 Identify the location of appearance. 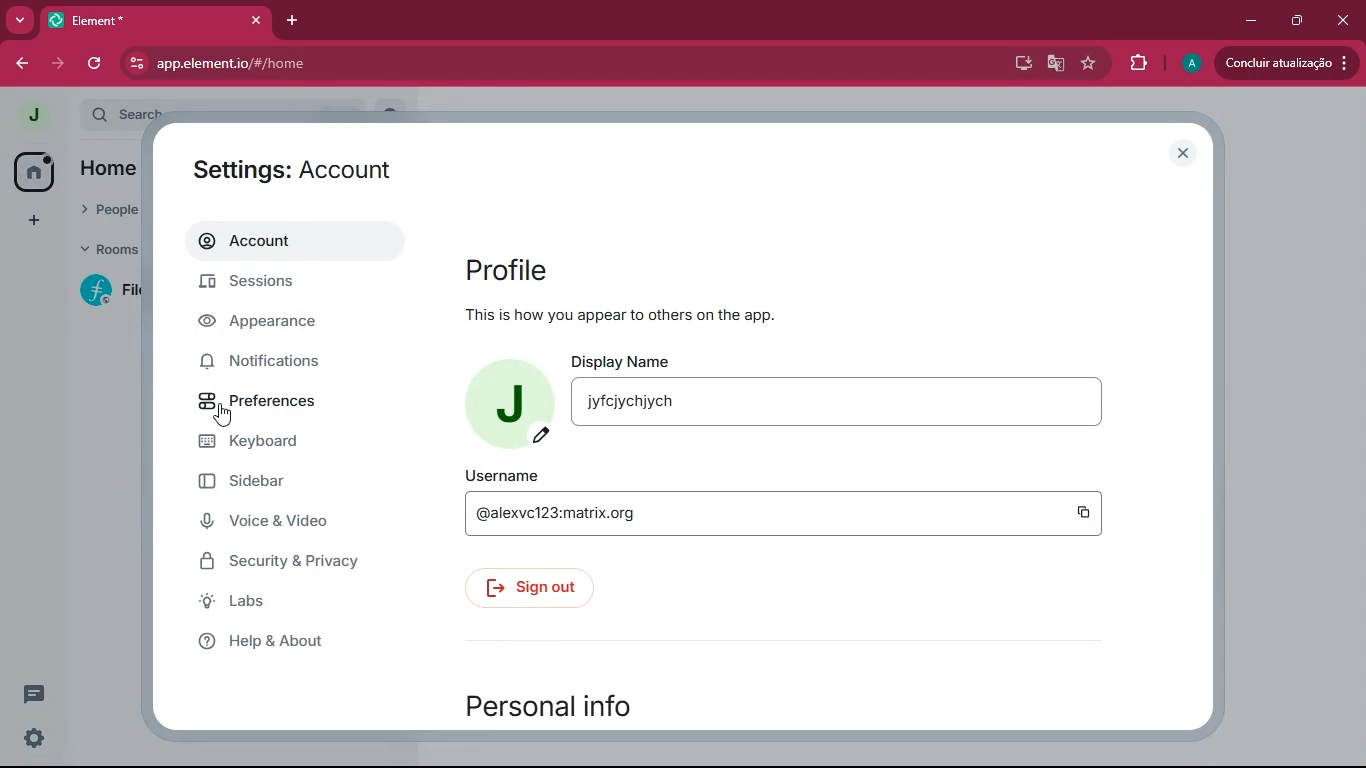
(275, 323).